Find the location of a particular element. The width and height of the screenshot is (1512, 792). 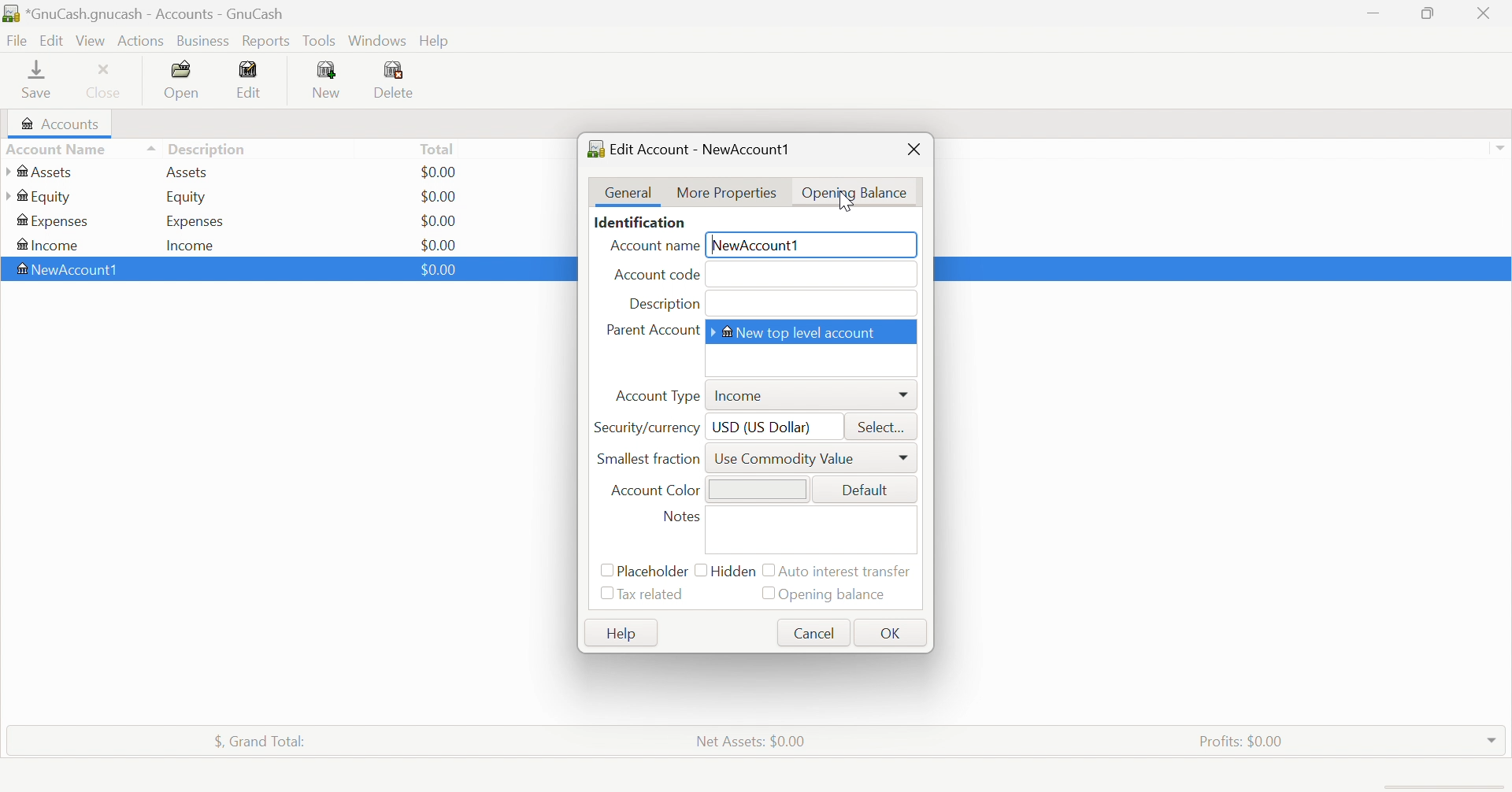

Tools is located at coordinates (321, 39).